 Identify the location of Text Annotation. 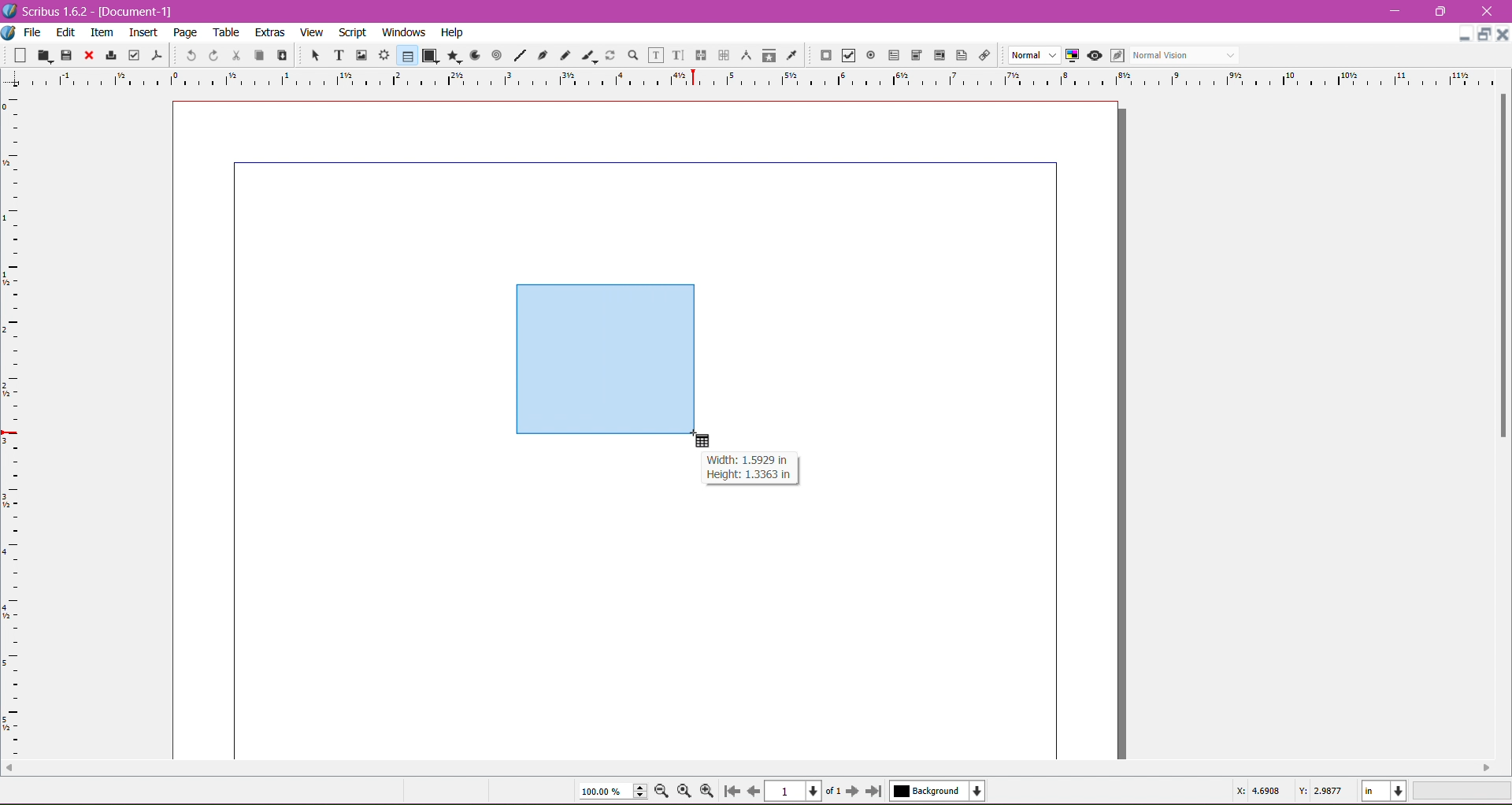
(959, 53).